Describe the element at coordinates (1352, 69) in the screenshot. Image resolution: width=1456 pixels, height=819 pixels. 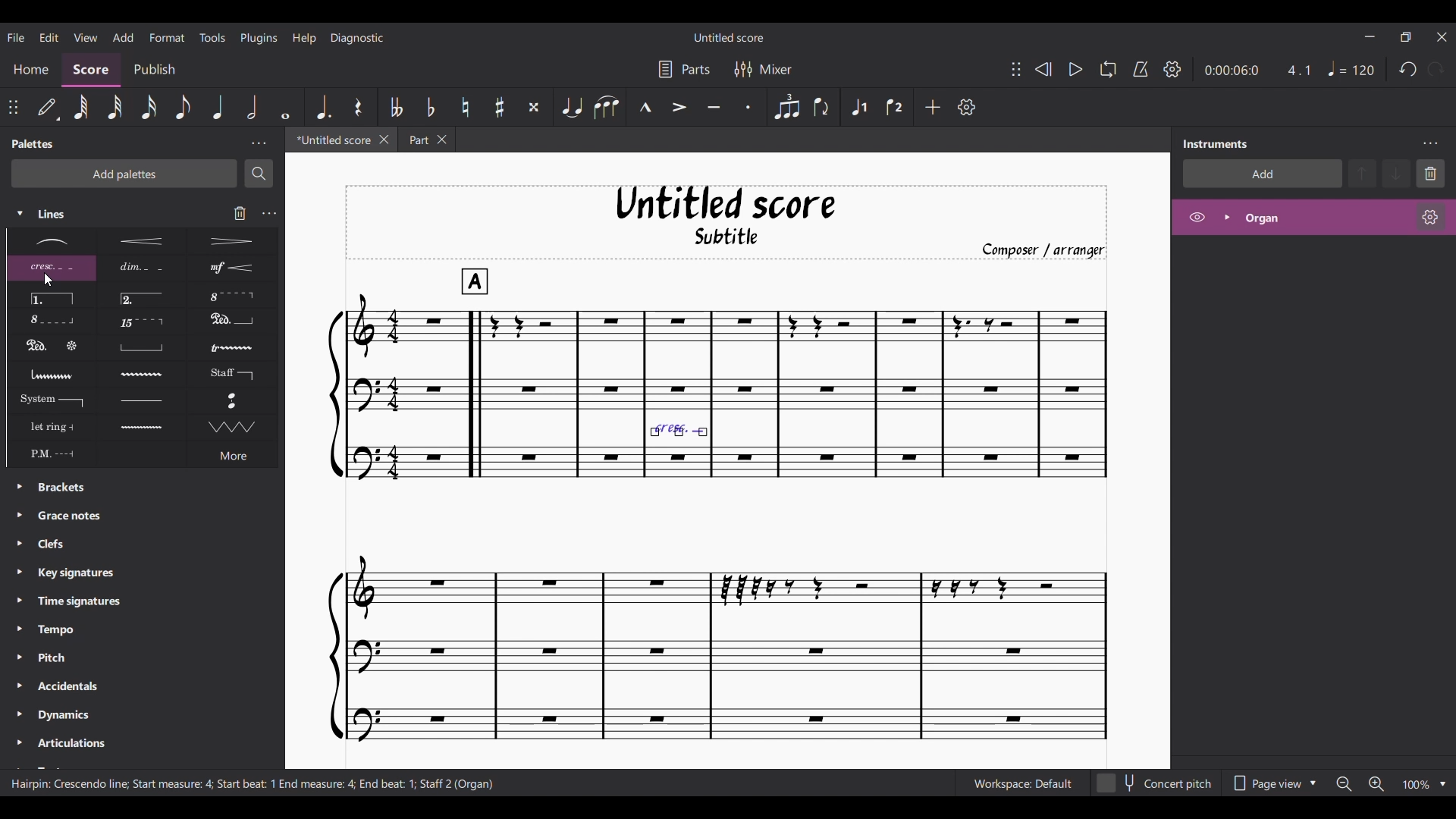
I see `Quarter note` at that location.